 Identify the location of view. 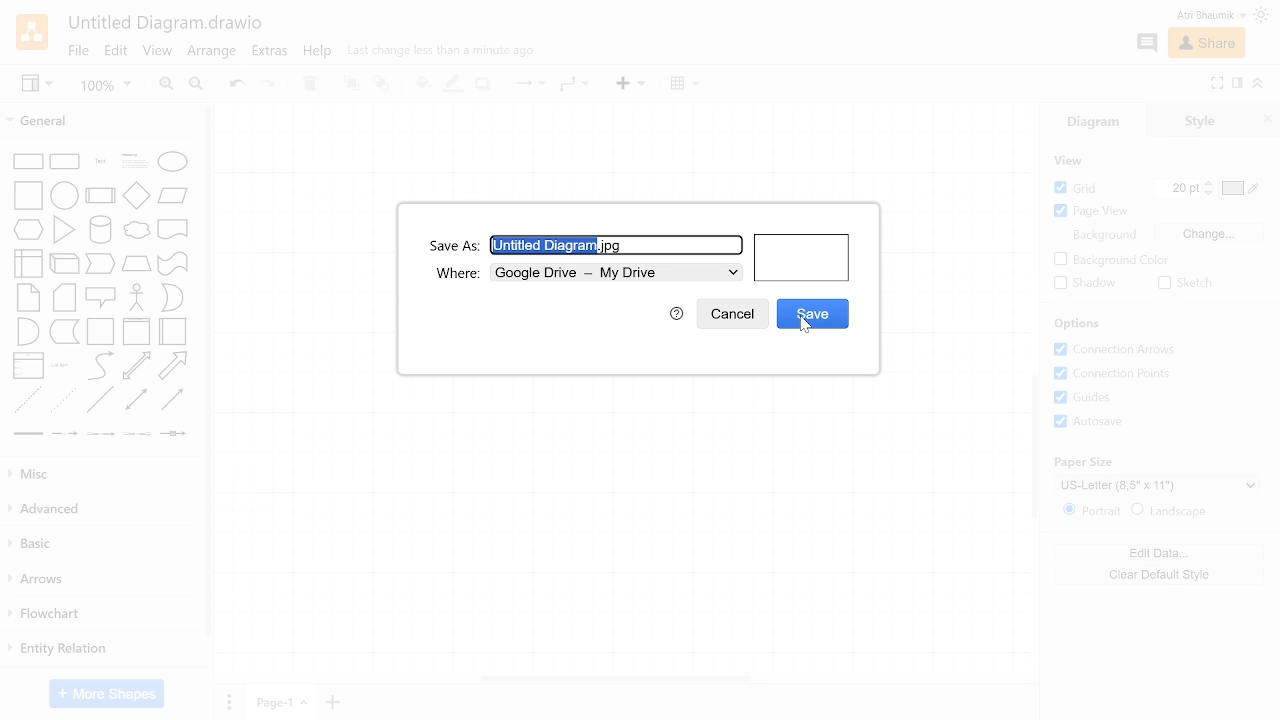
(1067, 160).